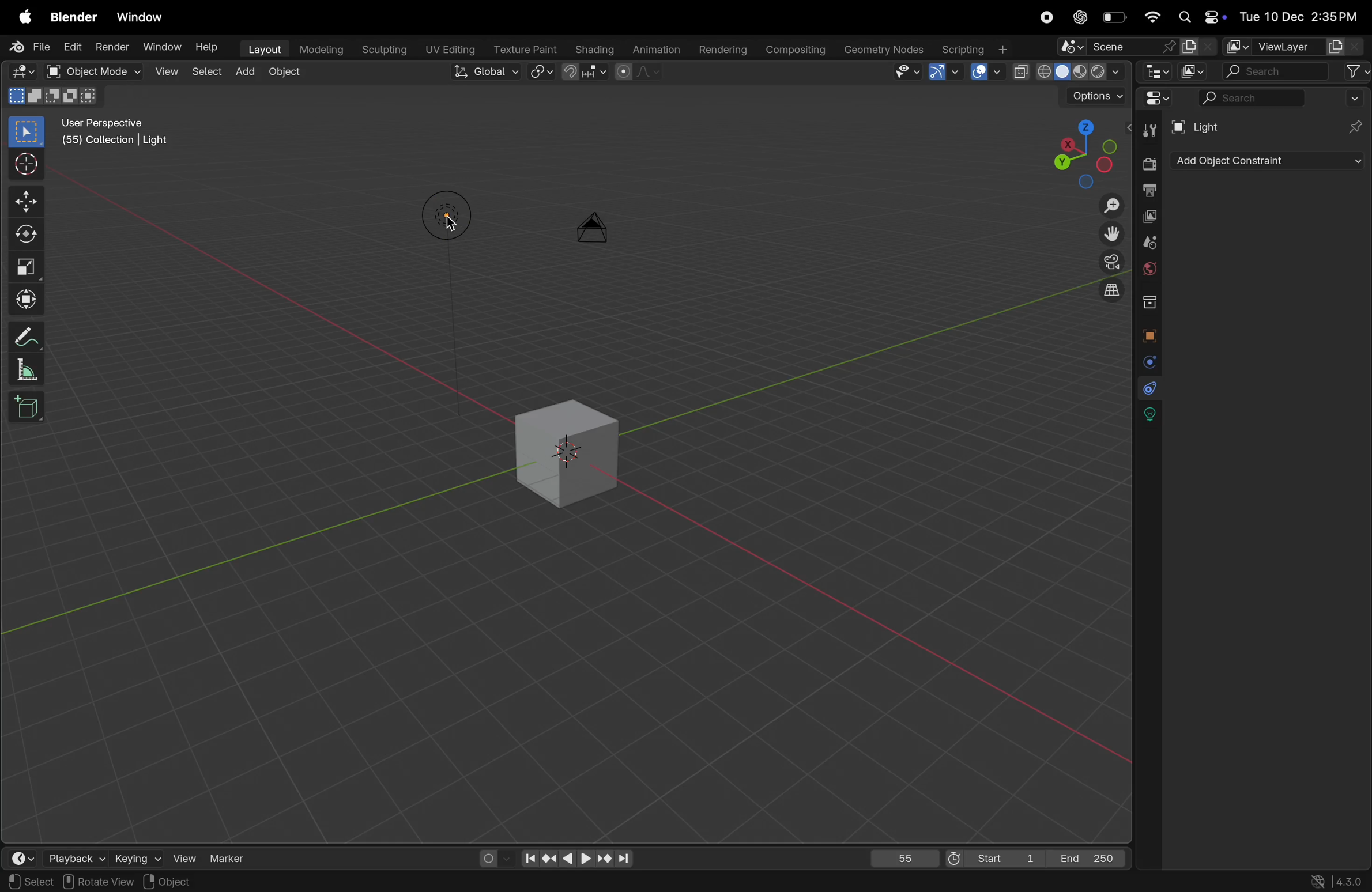 The width and height of the screenshot is (1372, 892). I want to click on apple menu, so click(21, 16).